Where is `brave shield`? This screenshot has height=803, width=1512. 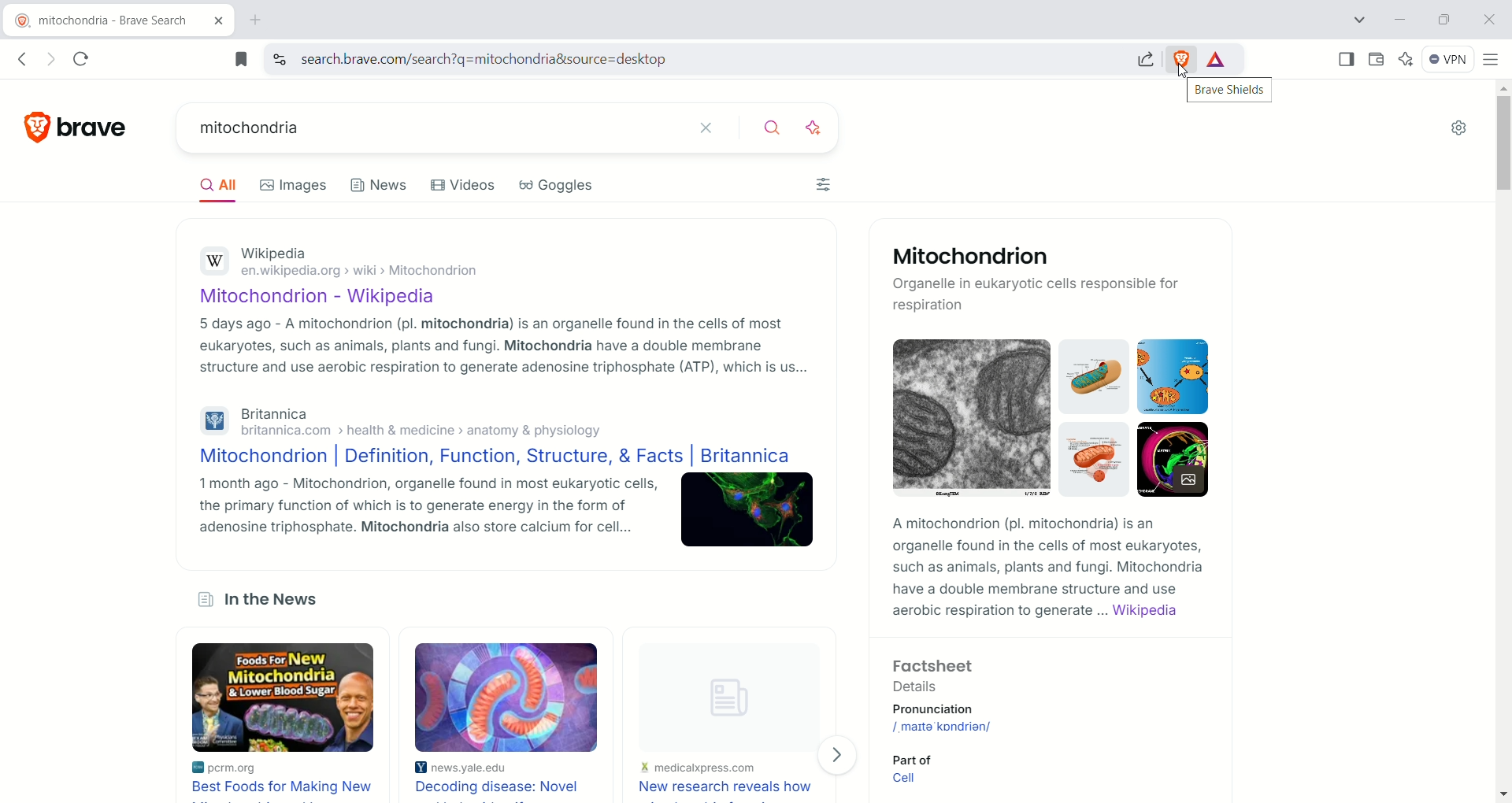 brave shield is located at coordinates (1184, 57).